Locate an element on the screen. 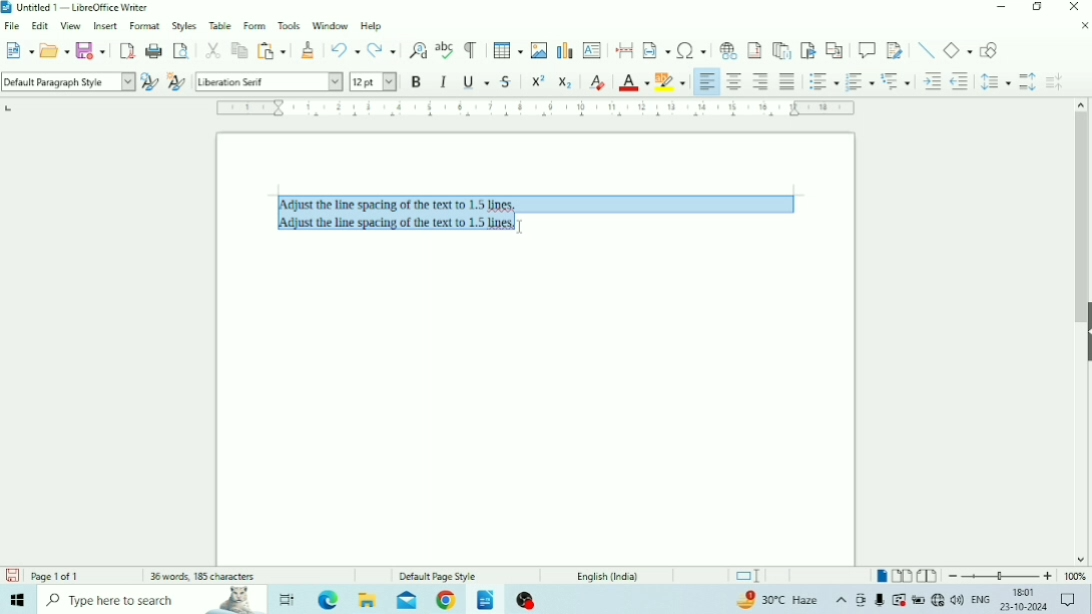 The height and width of the screenshot is (614, 1092). Select Outline Format is located at coordinates (896, 81).